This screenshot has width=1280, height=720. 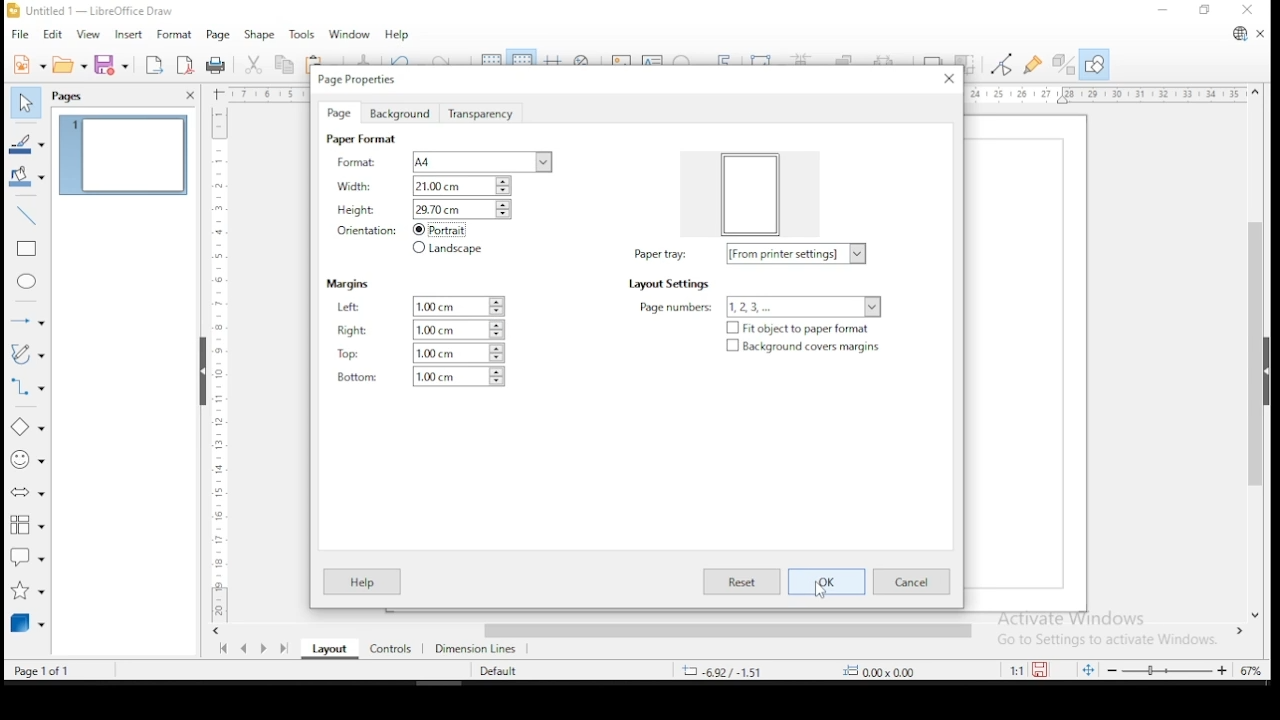 I want to click on select at least three objects to distribute, so click(x=893, y=59).